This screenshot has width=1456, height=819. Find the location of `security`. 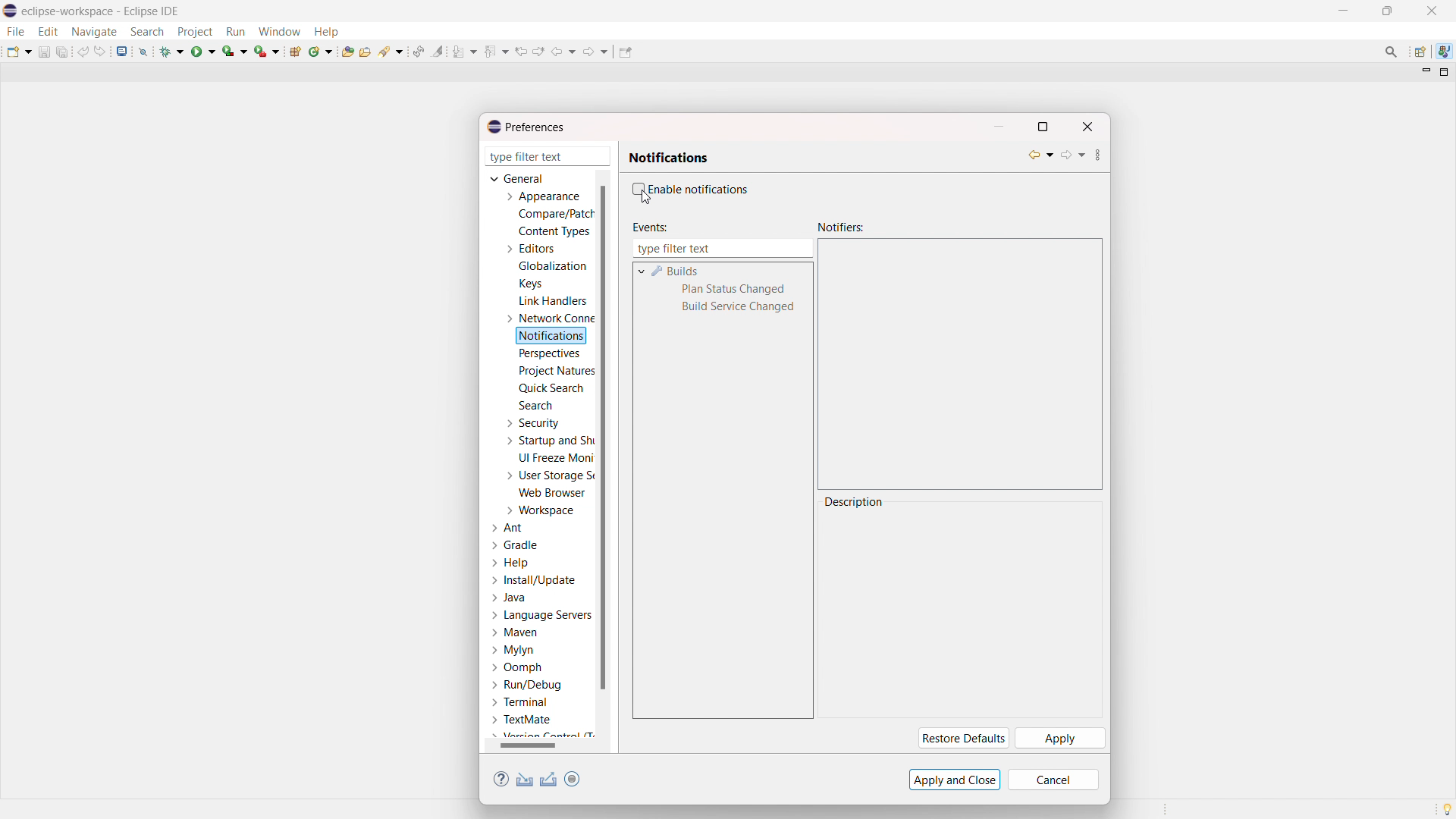

security is located at coordinates (532, 423).